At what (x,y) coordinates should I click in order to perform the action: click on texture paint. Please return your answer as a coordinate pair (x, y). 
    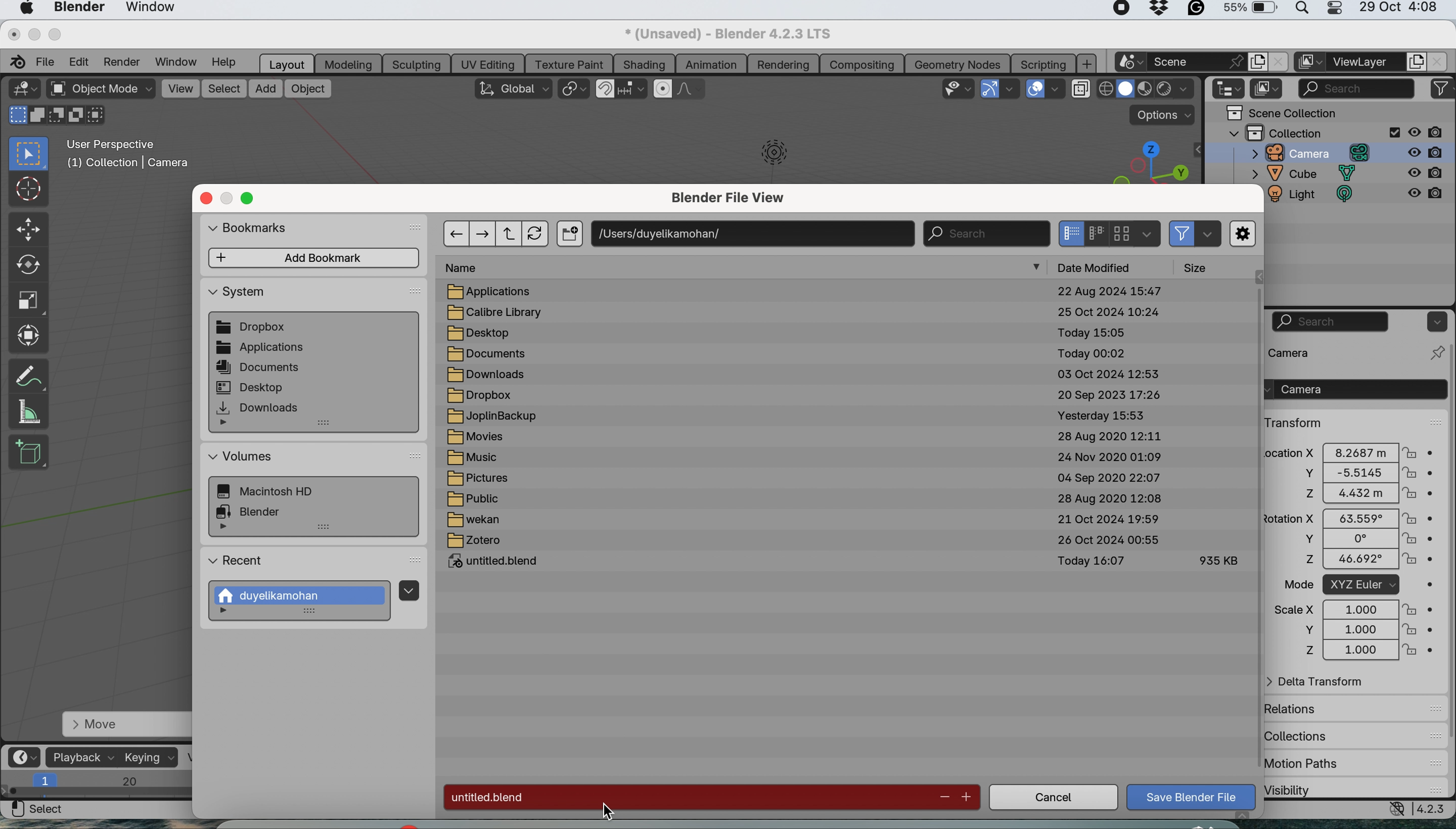
    Looking at the image, I should click on (571, 63).